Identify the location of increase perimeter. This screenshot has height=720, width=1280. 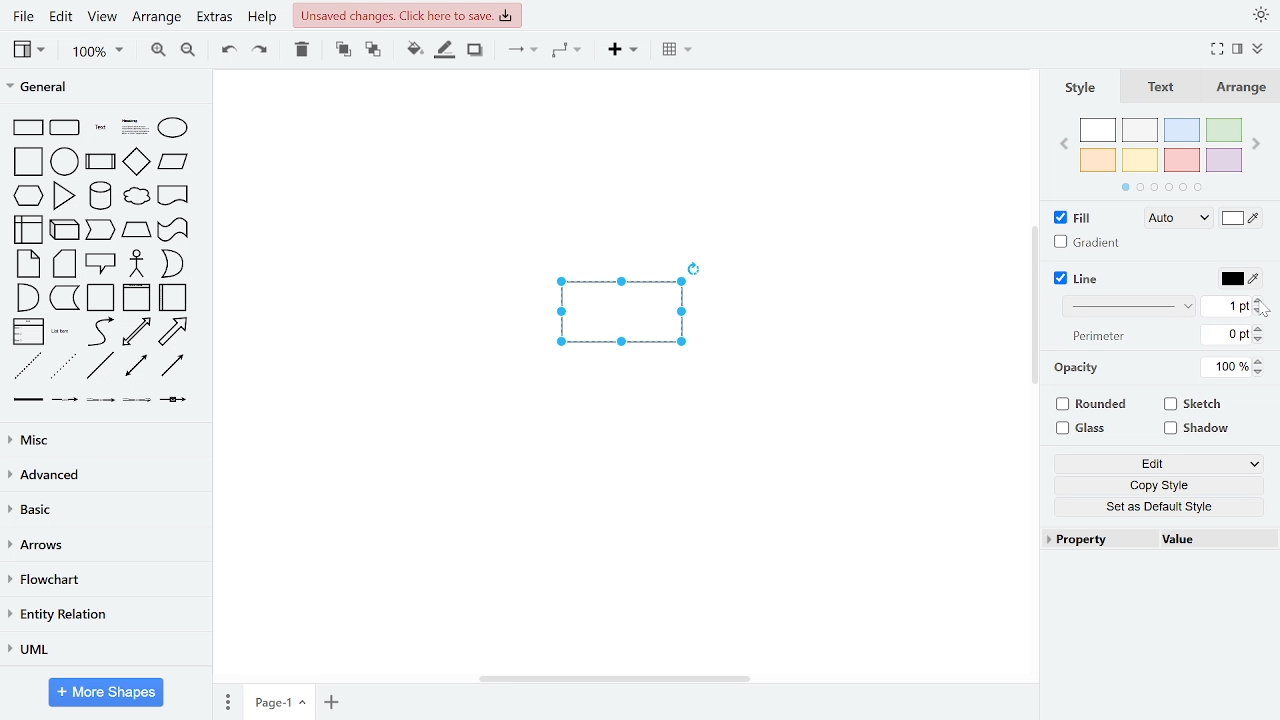
(1259, 328).